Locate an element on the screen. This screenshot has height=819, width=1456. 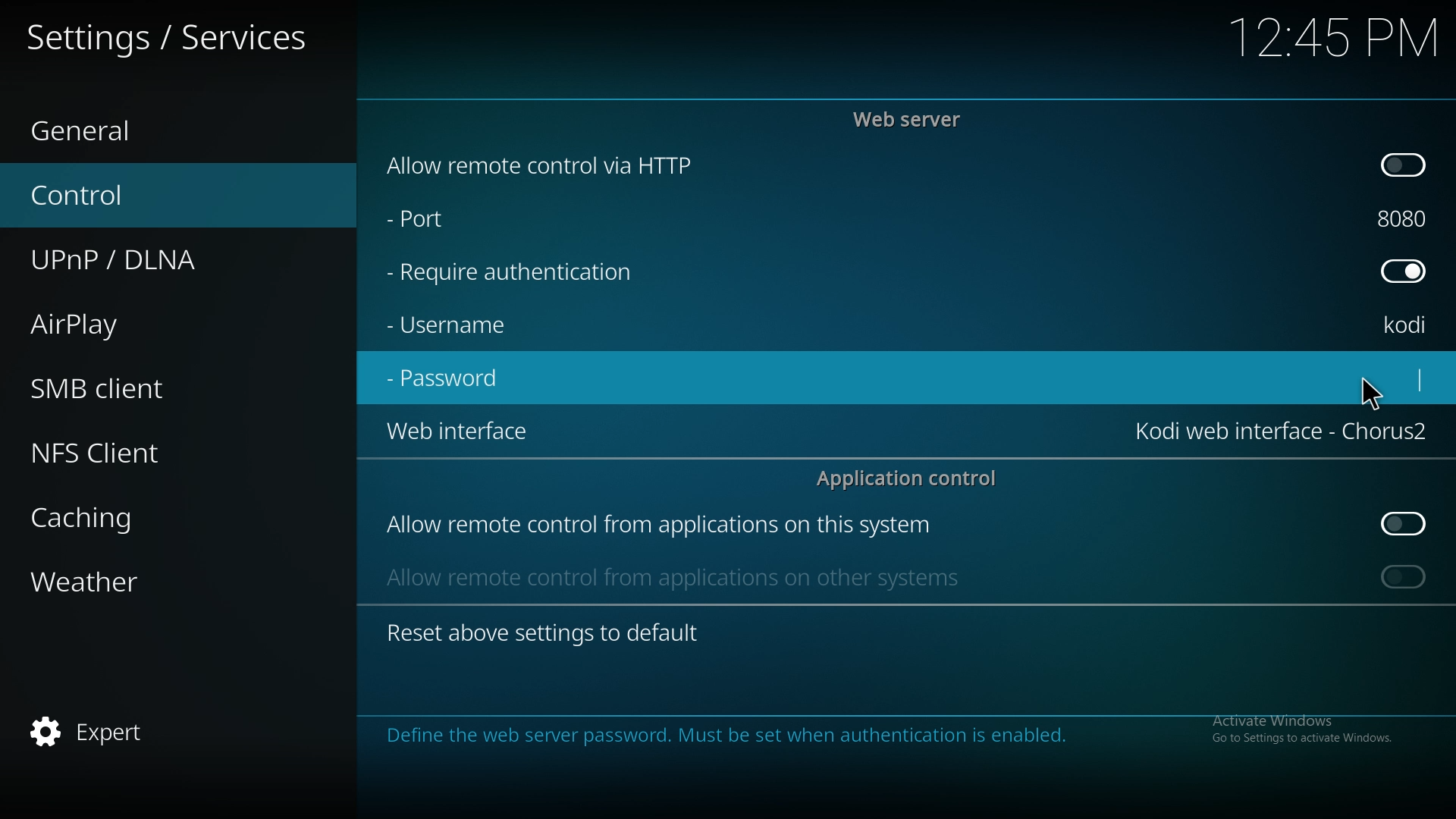
general is located at coordinates (129, 127).